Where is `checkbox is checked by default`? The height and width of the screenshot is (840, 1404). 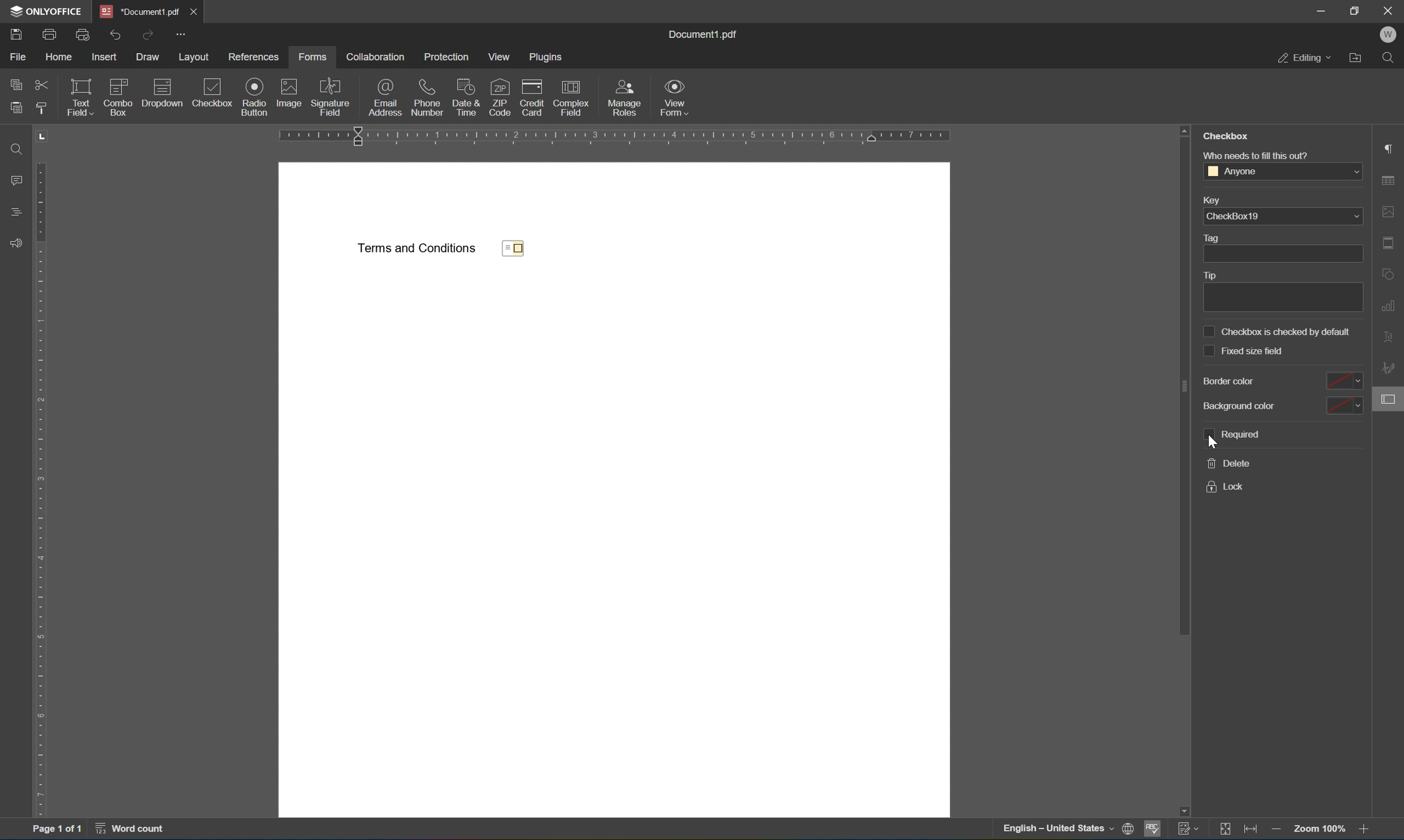 checkbox is checked by default is located at coordinates (1278, 331).